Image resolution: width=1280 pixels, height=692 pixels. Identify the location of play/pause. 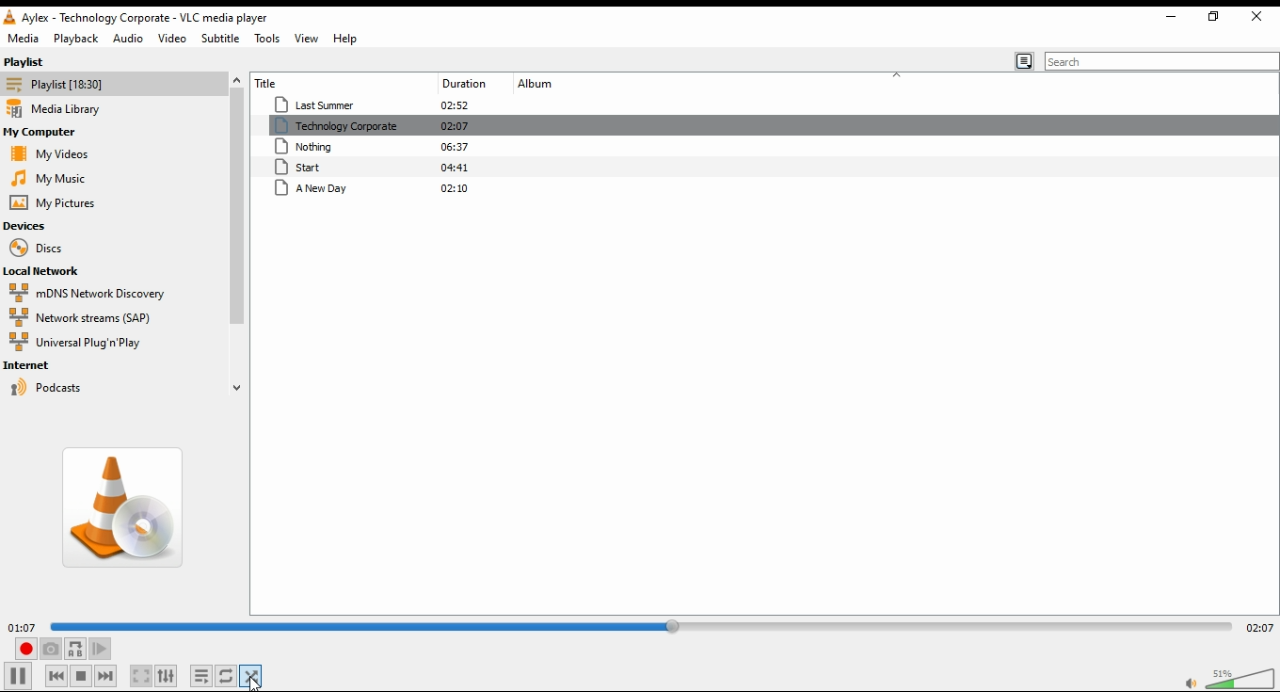
(20, 677).